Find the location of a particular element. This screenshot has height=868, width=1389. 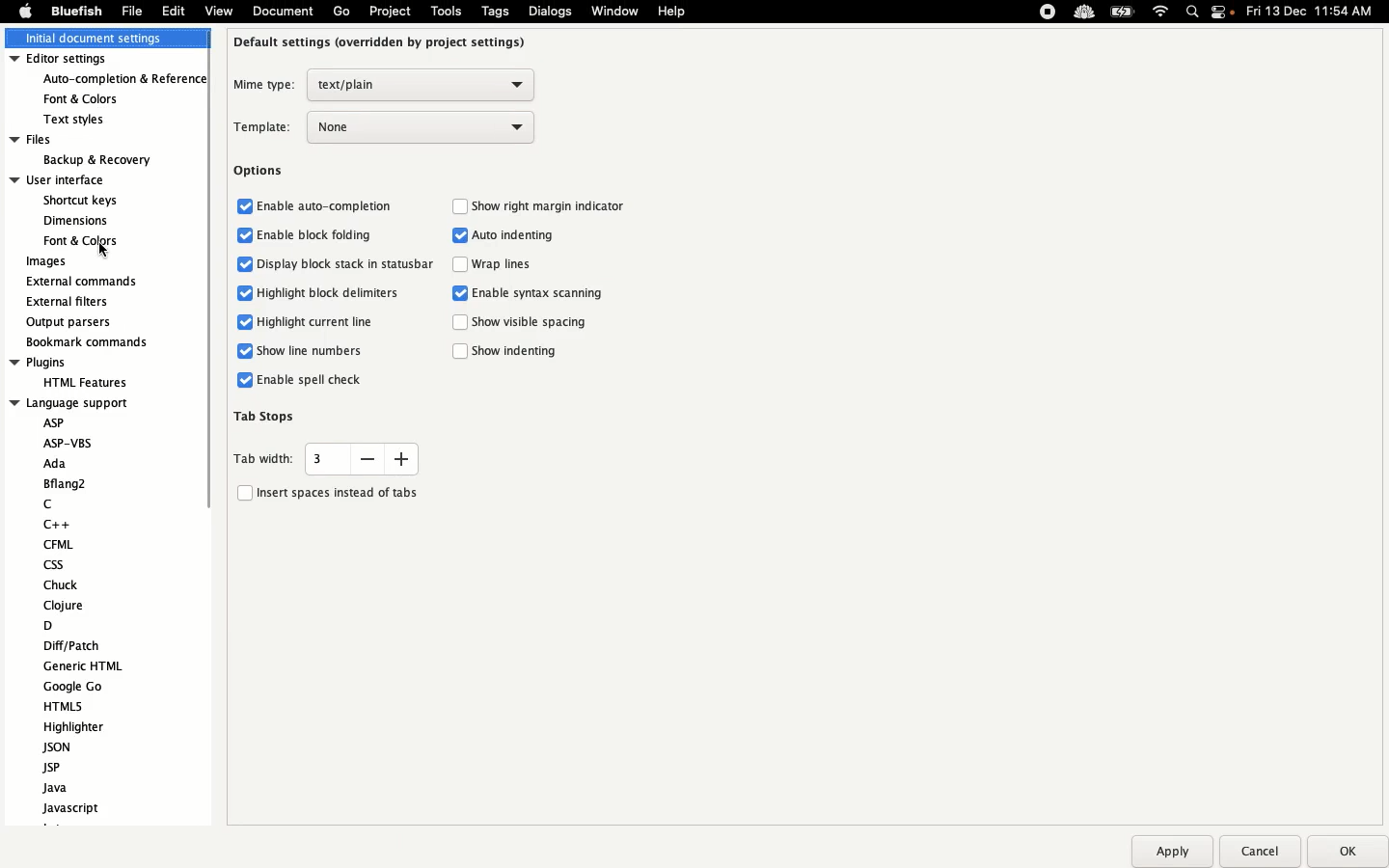

language support is located at coordinates (71, 402).